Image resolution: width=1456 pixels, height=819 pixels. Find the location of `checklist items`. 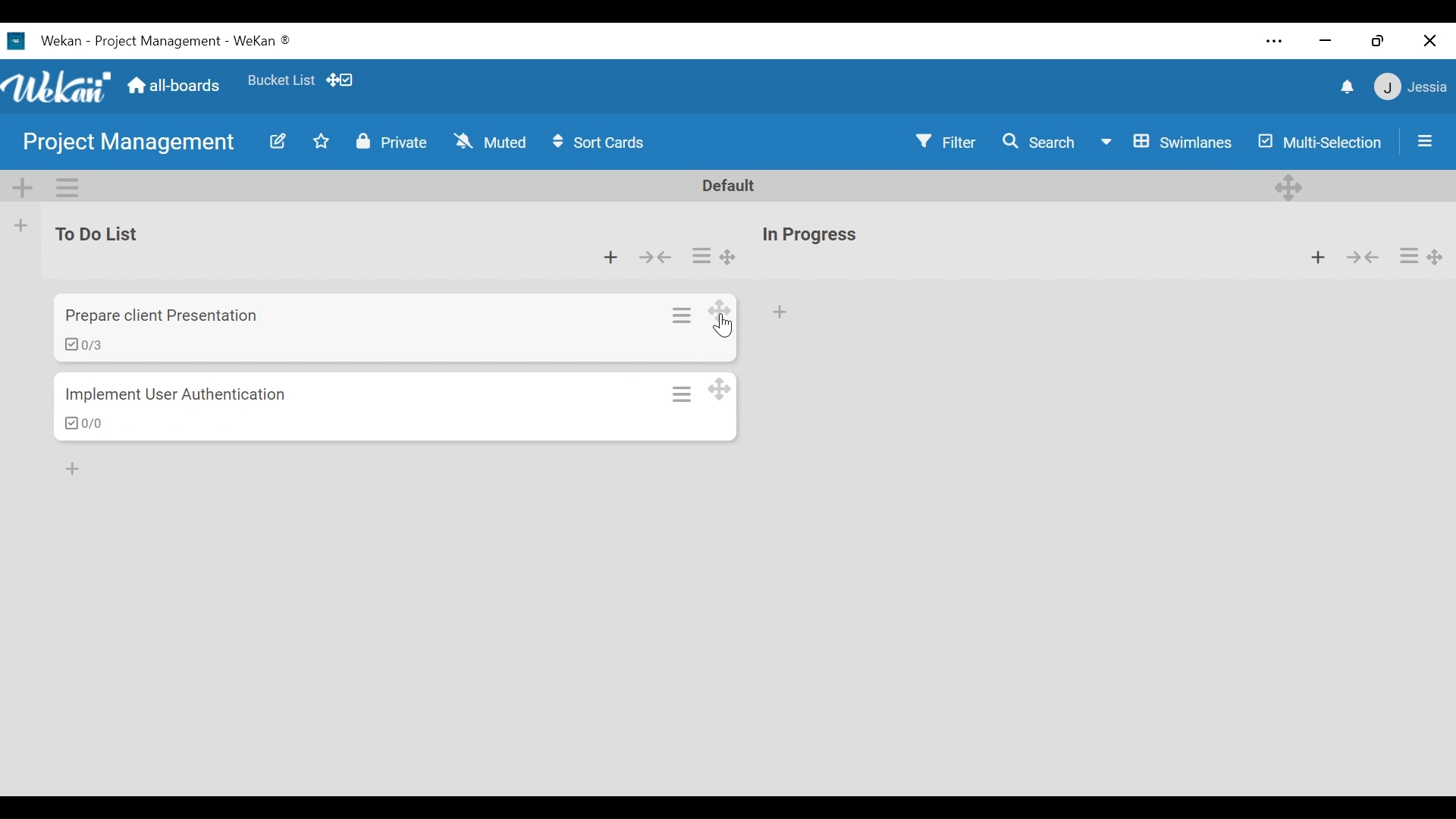

checklist items is located at coordinates (83, 345).